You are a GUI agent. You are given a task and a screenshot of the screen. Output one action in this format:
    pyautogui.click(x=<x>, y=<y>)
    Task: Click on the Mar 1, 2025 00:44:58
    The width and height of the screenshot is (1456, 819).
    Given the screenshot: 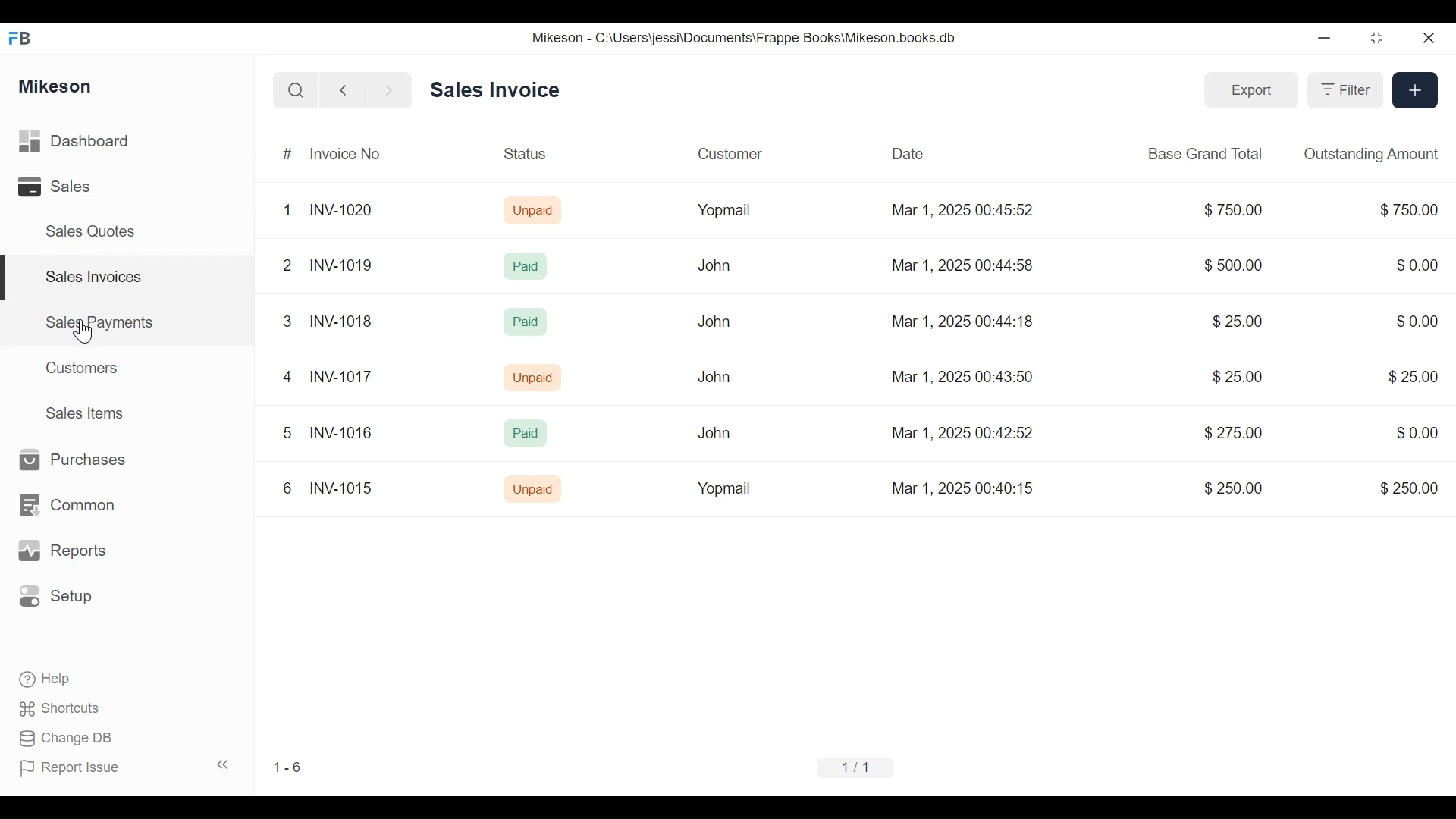 What is the action you would take?
    pyautogui.click(x=962, y=265)
    